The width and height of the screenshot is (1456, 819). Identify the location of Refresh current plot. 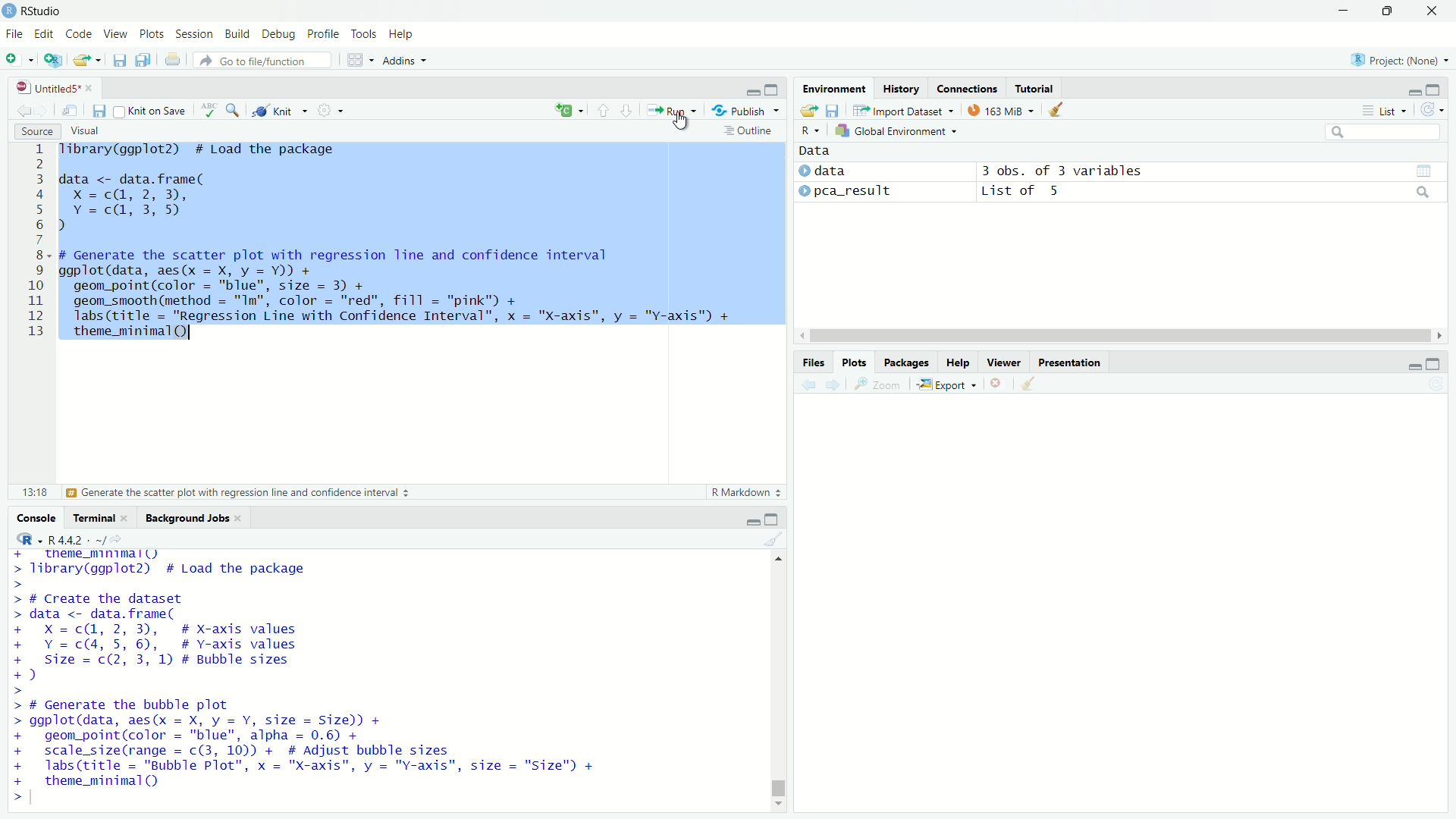
(1436, 383).